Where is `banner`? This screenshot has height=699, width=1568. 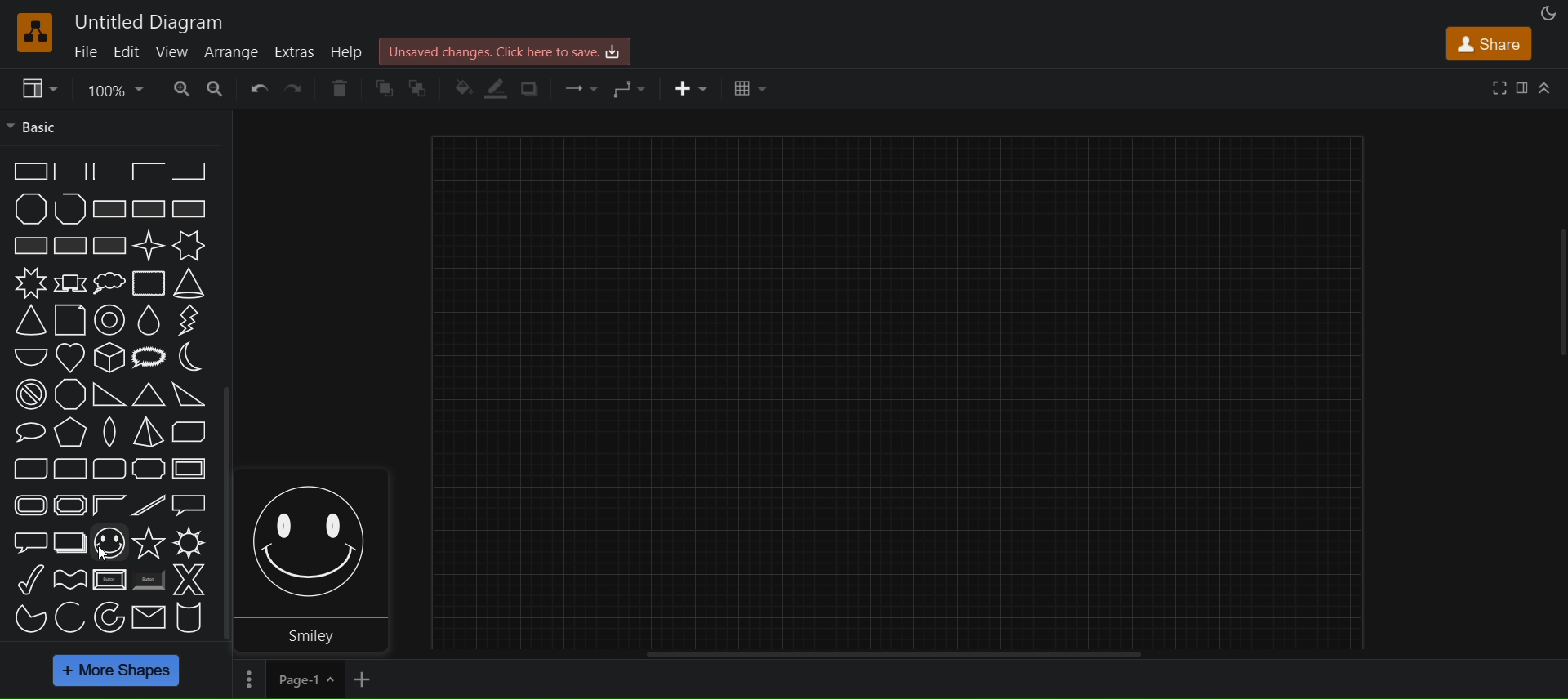
banner is located at coordinates (69, 284).